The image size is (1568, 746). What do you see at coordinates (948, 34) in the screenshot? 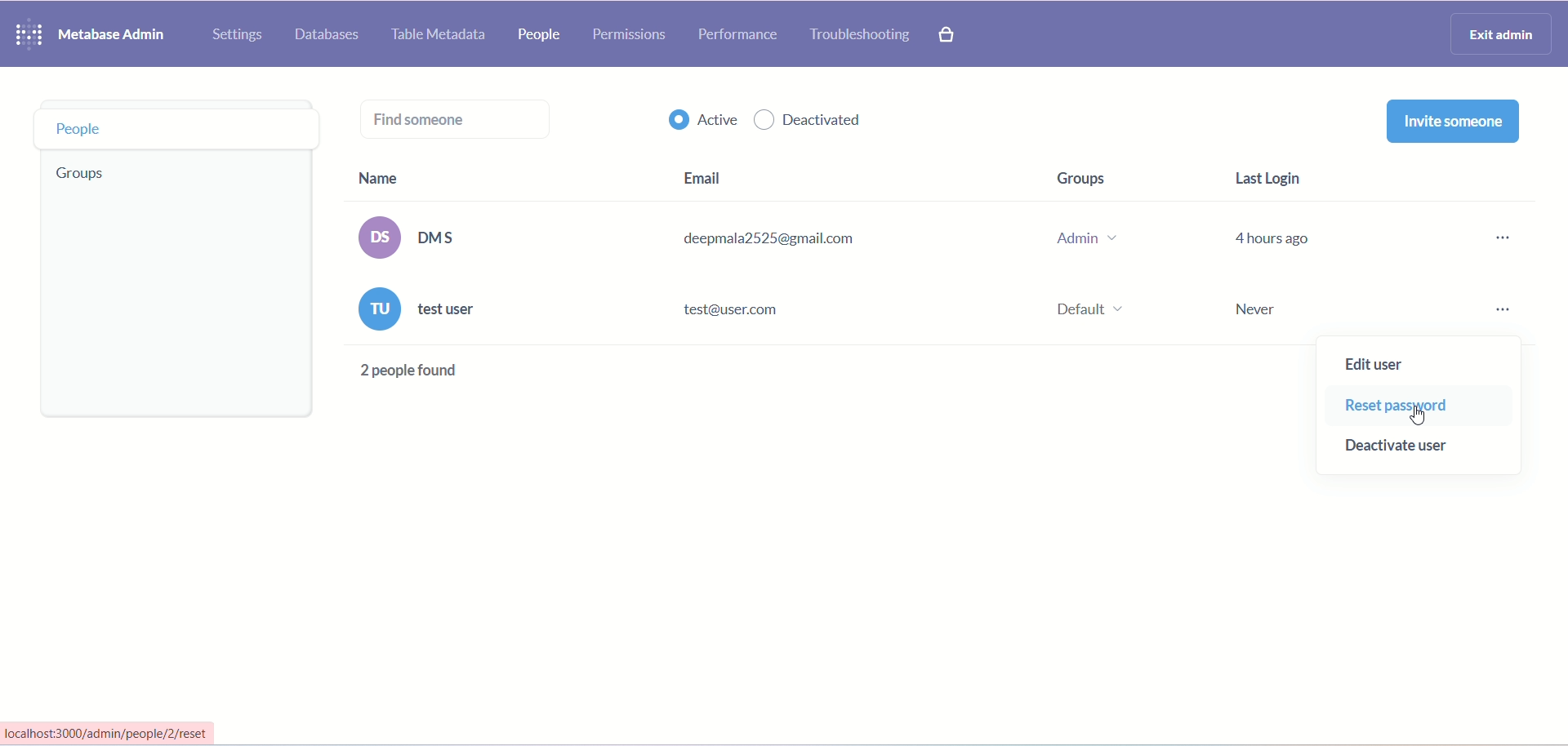
I see `paid features` at bounding box center [948, 34].